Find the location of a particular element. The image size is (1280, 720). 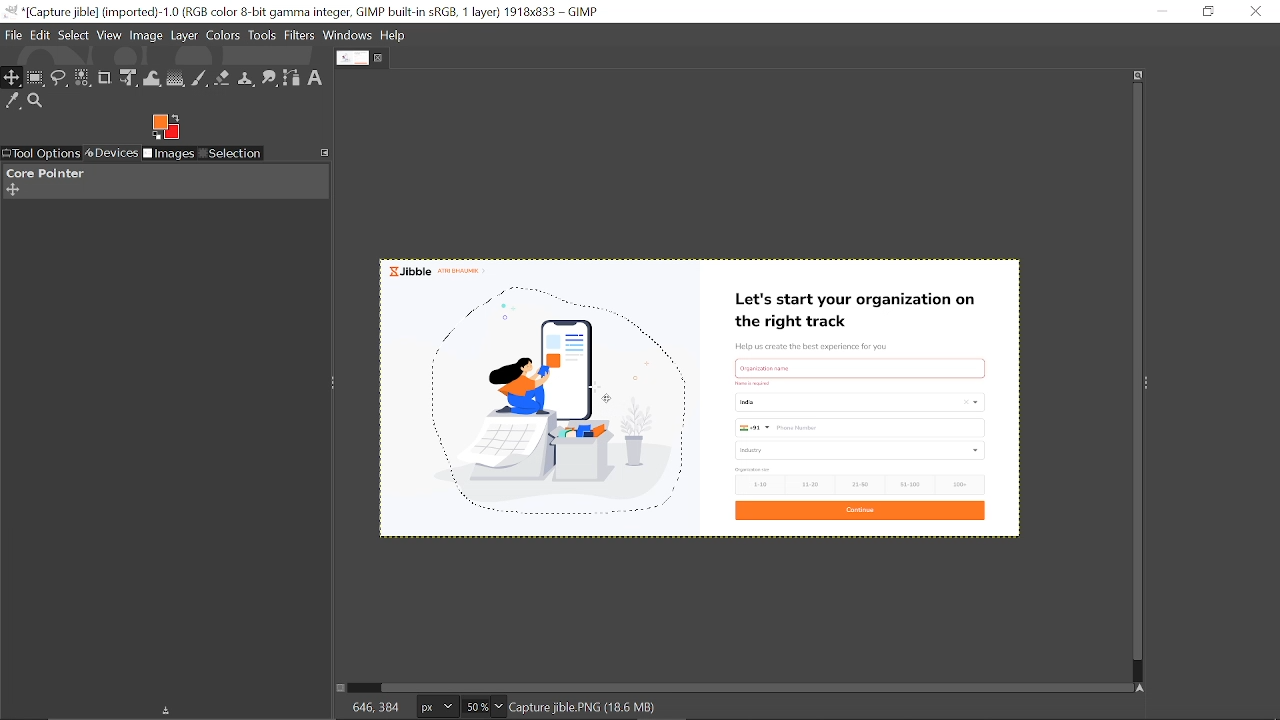

Select by color is located at coordinates (83, 79).